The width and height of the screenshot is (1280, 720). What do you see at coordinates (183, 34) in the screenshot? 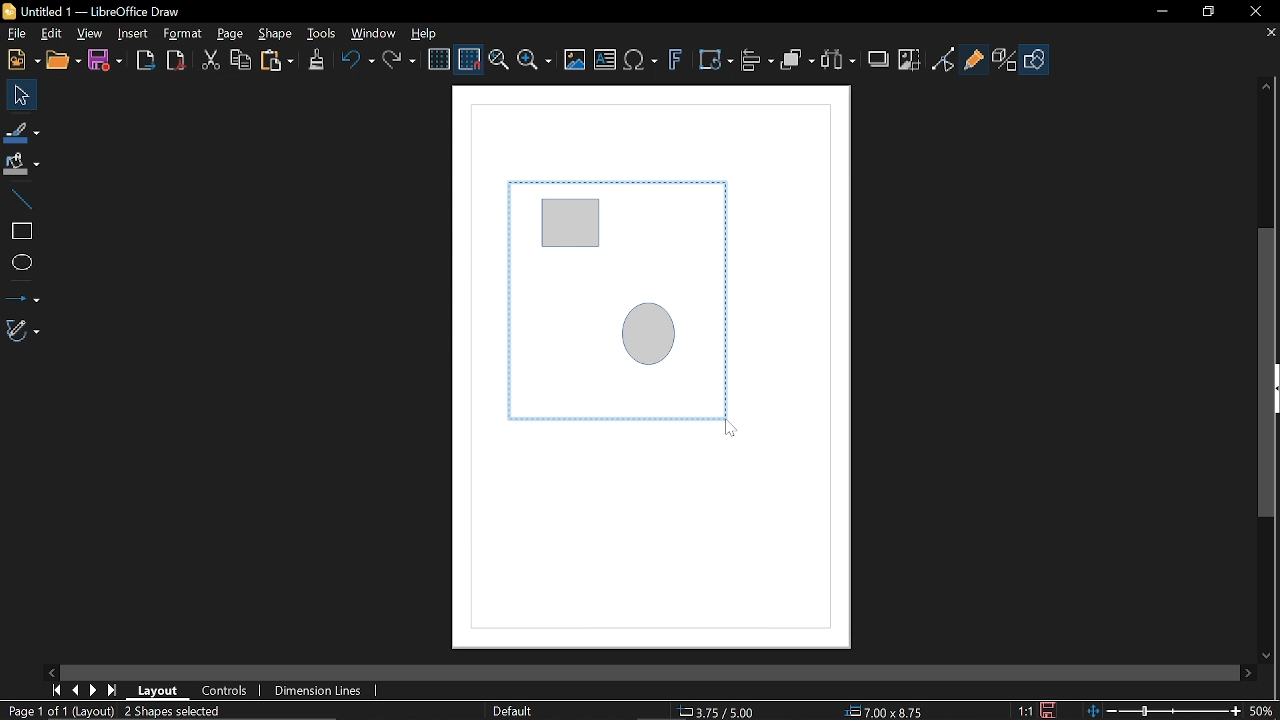
I see `Format` at bounding box center [183, 34].